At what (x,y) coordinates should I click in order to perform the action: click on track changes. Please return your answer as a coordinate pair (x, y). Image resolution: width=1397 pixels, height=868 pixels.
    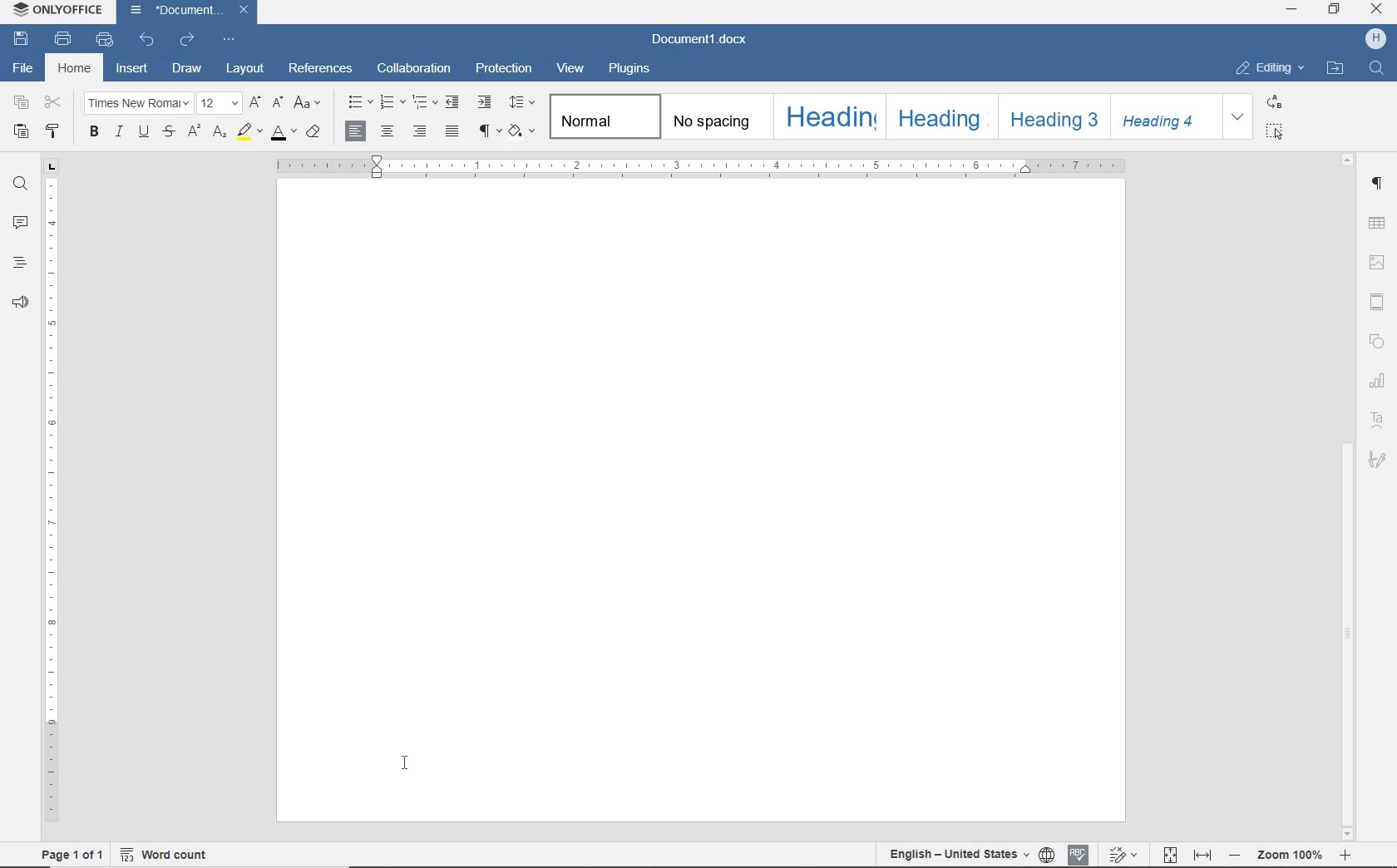
    Looking at the image, I should click on (1121, 856).